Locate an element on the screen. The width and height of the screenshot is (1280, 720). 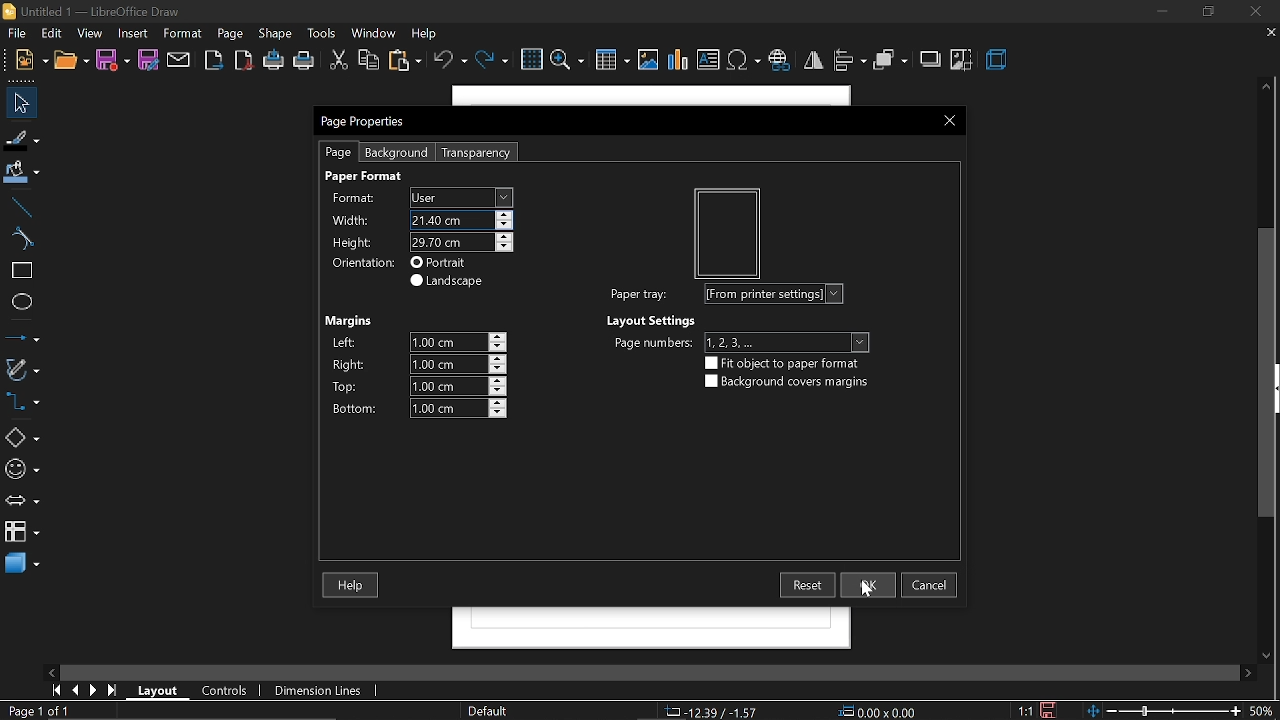
grid is located at coordinates (530, 60).